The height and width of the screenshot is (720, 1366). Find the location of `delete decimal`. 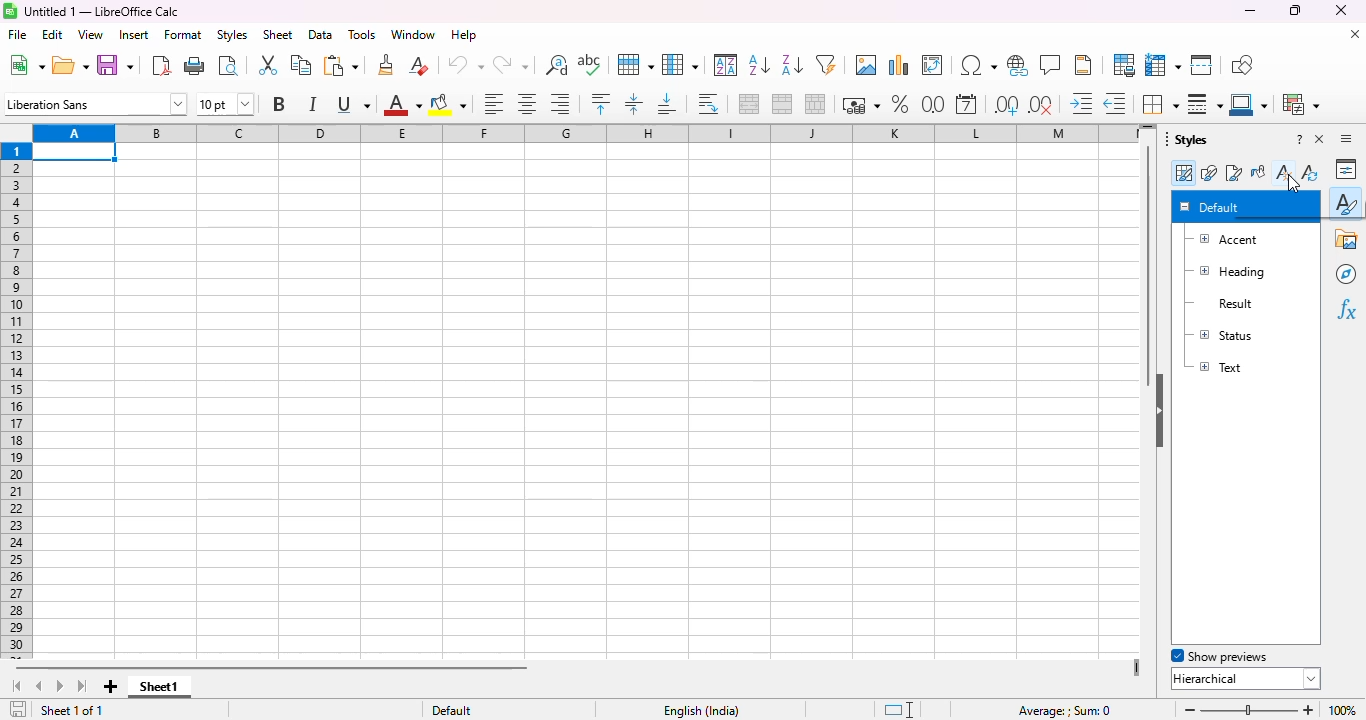

delete decimal is located at coordinates (1042, 105).